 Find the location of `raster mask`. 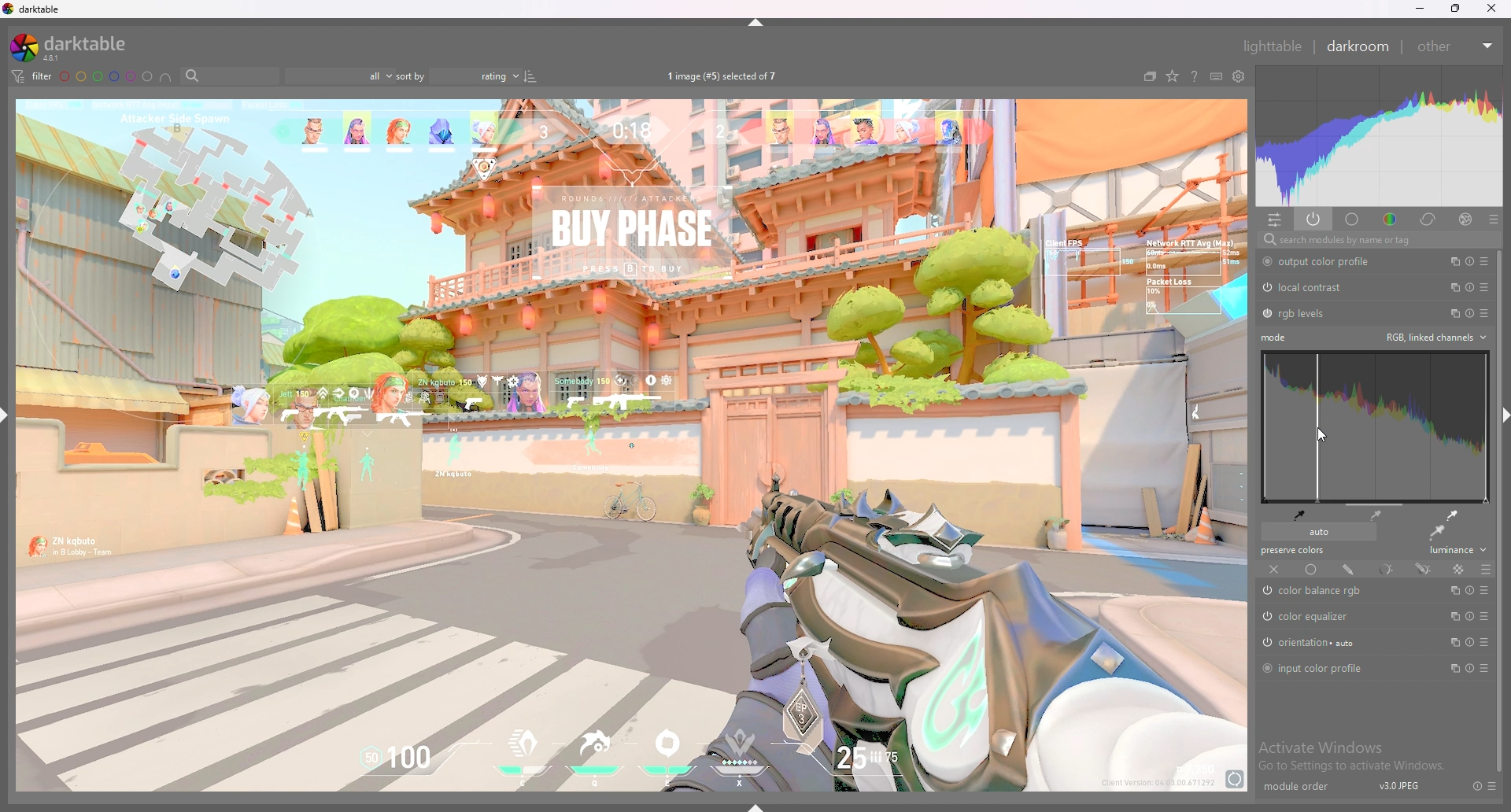

raster mask is located at coordinates (1457, 569).